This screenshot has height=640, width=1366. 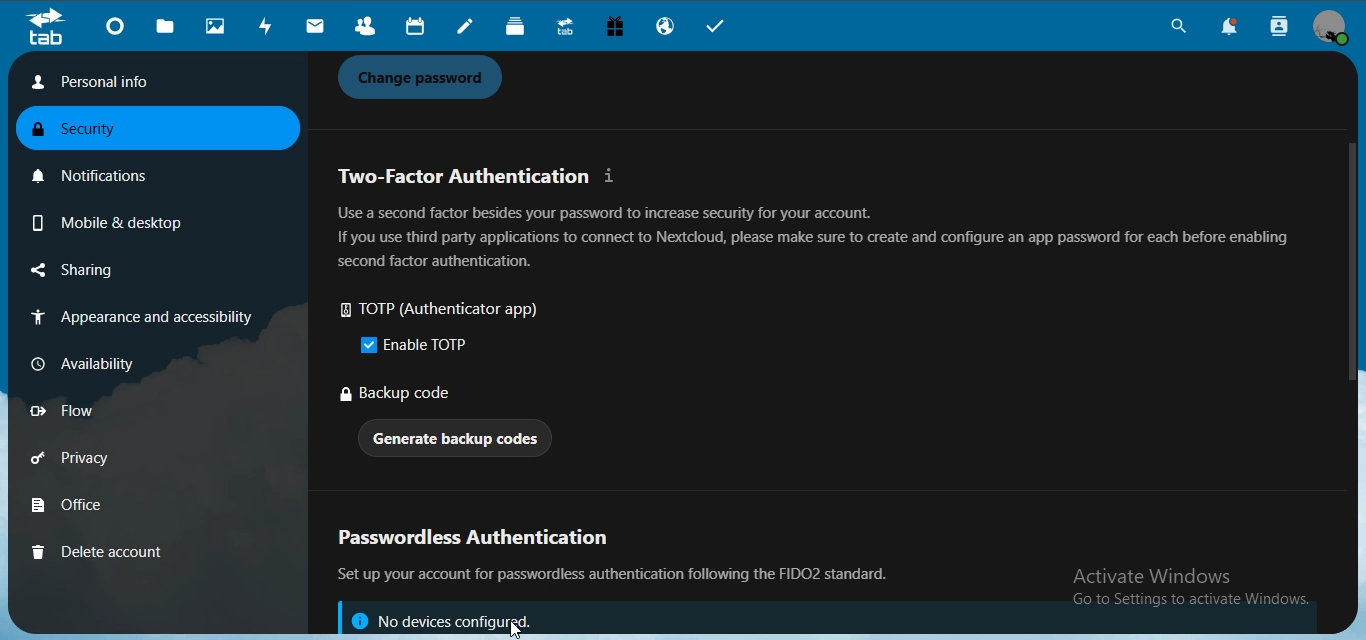 I want to click on files, so click(x=167, y=27).